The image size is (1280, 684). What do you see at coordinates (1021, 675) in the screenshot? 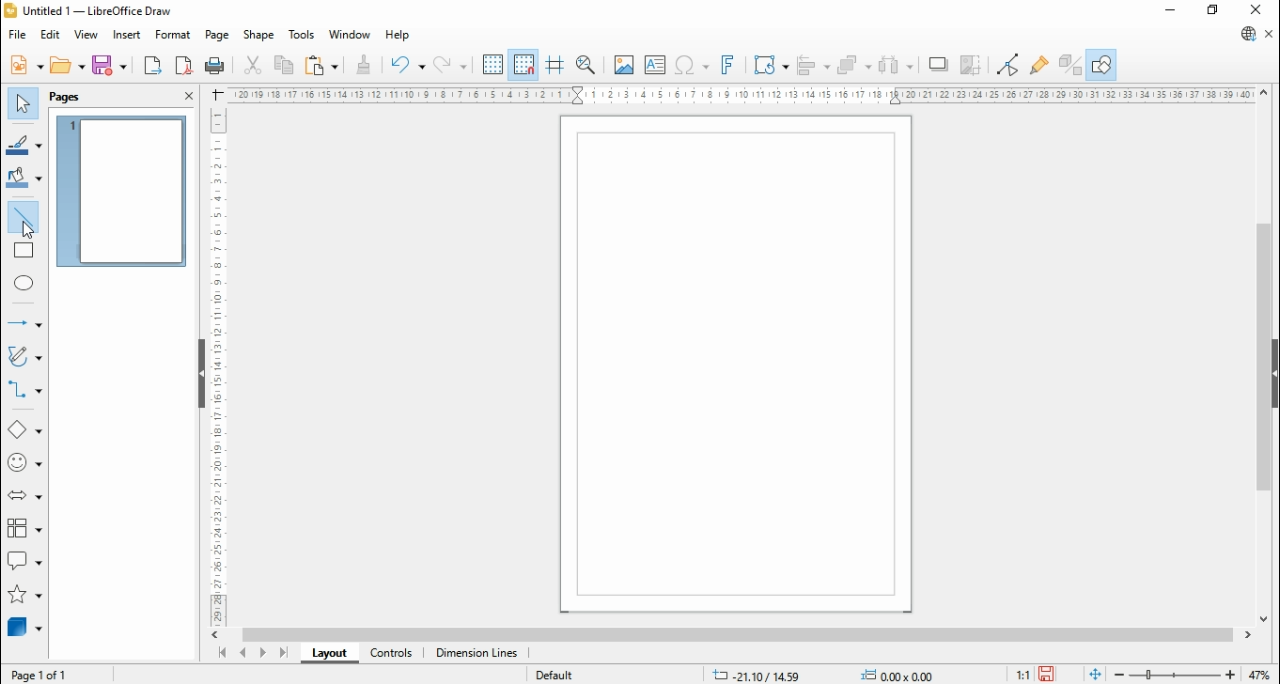
I see `1:1` at bounding box center [1021, 675].